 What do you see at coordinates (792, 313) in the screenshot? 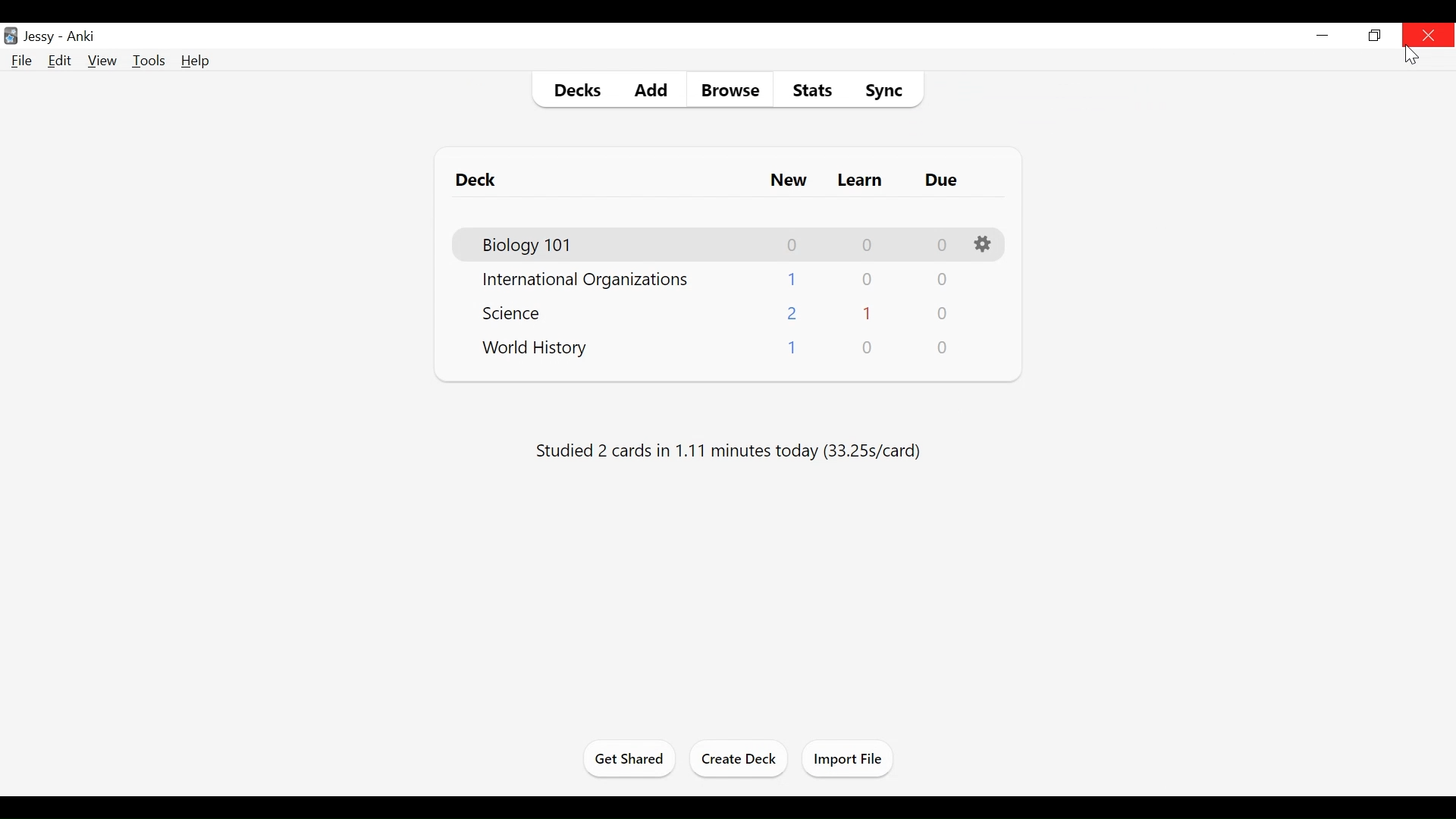
I see `New Cards Count` at bounding box center [792, 313].